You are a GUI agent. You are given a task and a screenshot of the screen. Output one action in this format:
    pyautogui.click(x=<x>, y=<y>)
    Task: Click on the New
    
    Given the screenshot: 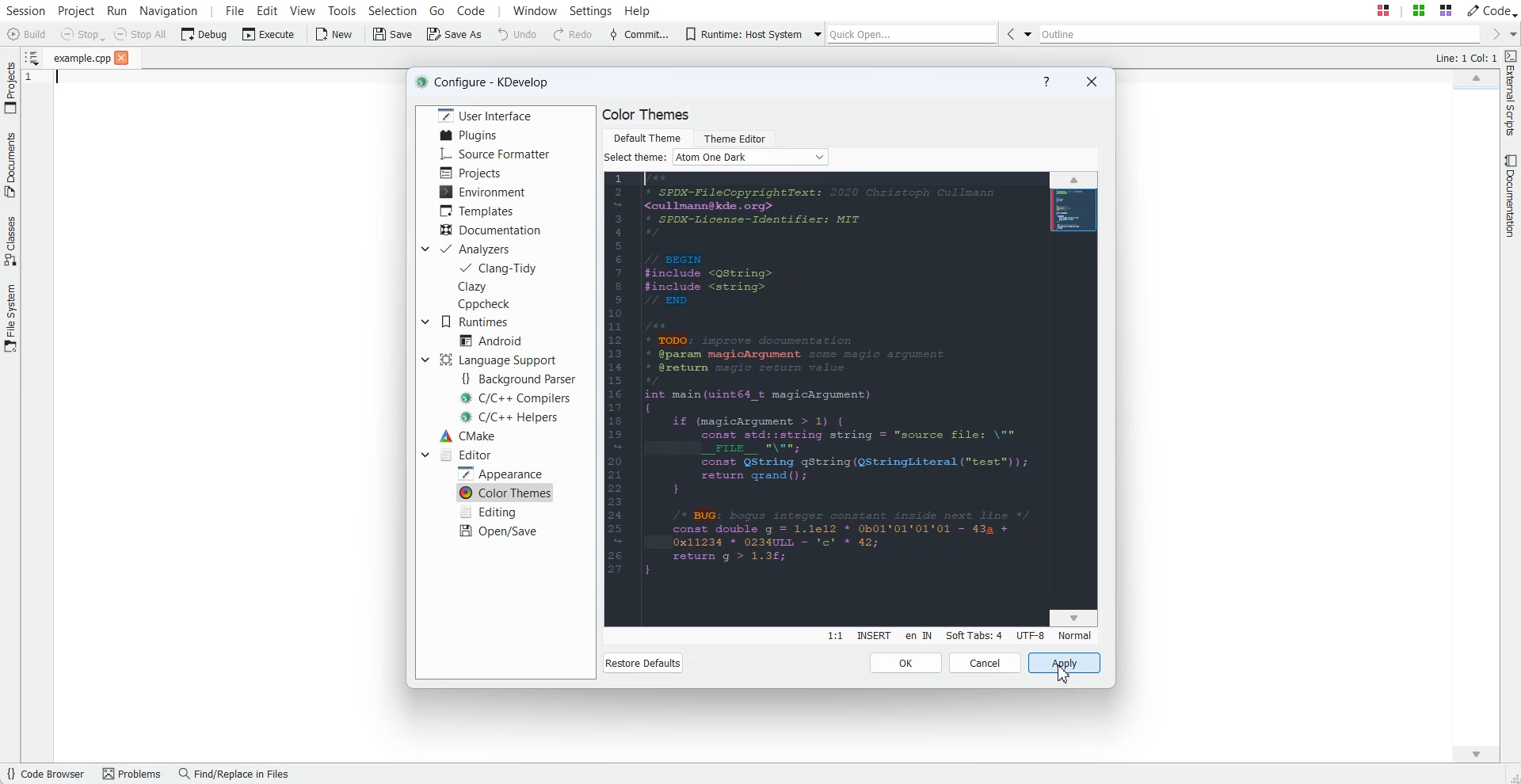 What is the action you would take?
    pyautogui.click(x=336, y=35)
    